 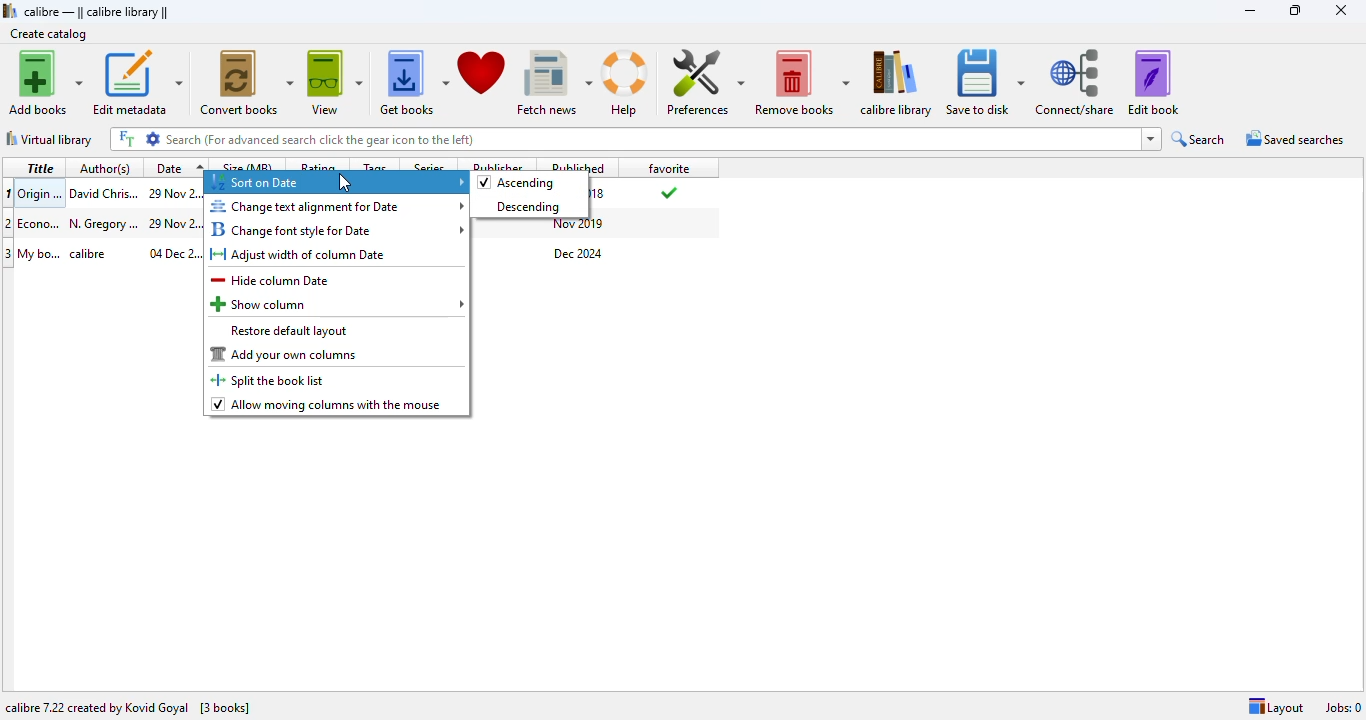 What do you see at coordinates (337, 229) in the screenshot?
I see `change font style for date` at bounding box center [337, 229].